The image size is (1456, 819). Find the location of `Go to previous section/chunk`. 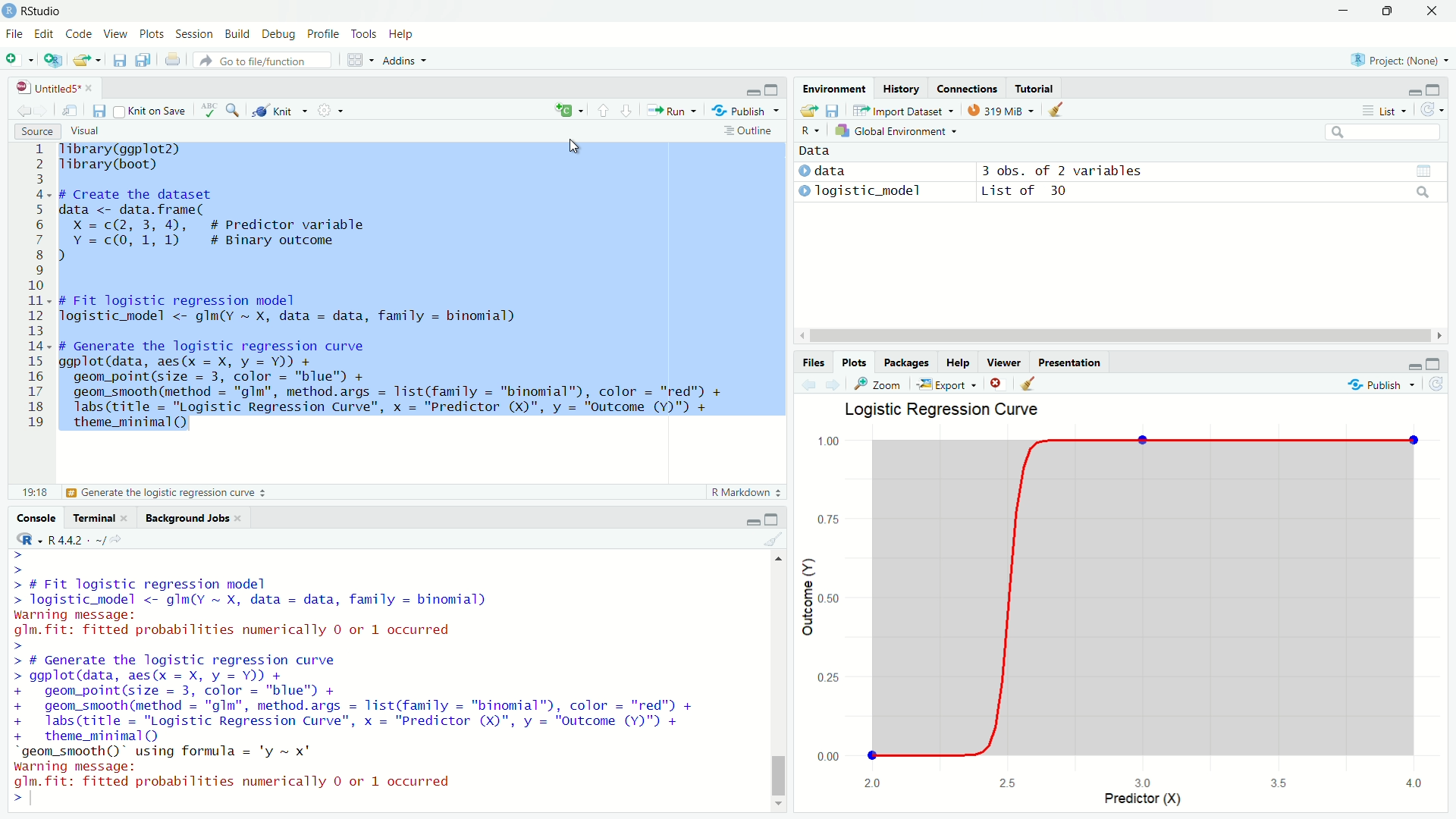

Go to previous section/chunk is located at coordinates (602, 110).